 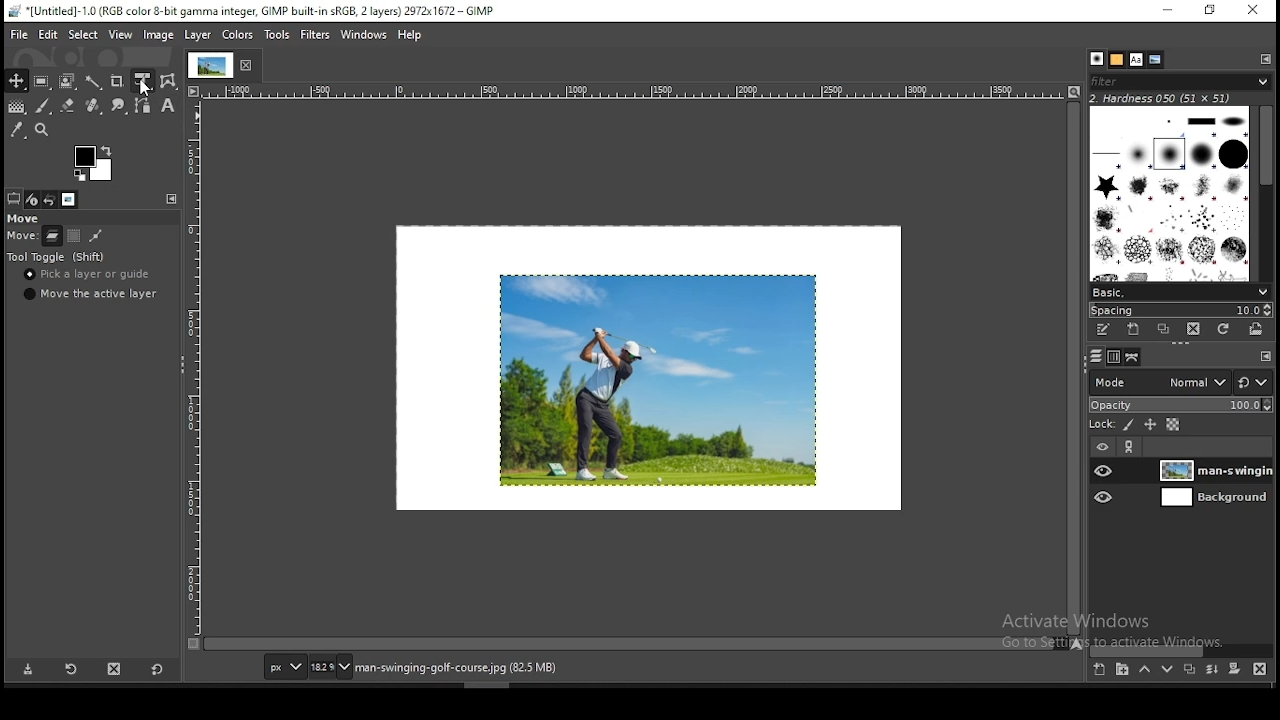 I want to click on save tool preset, so click(x=28, y=670).